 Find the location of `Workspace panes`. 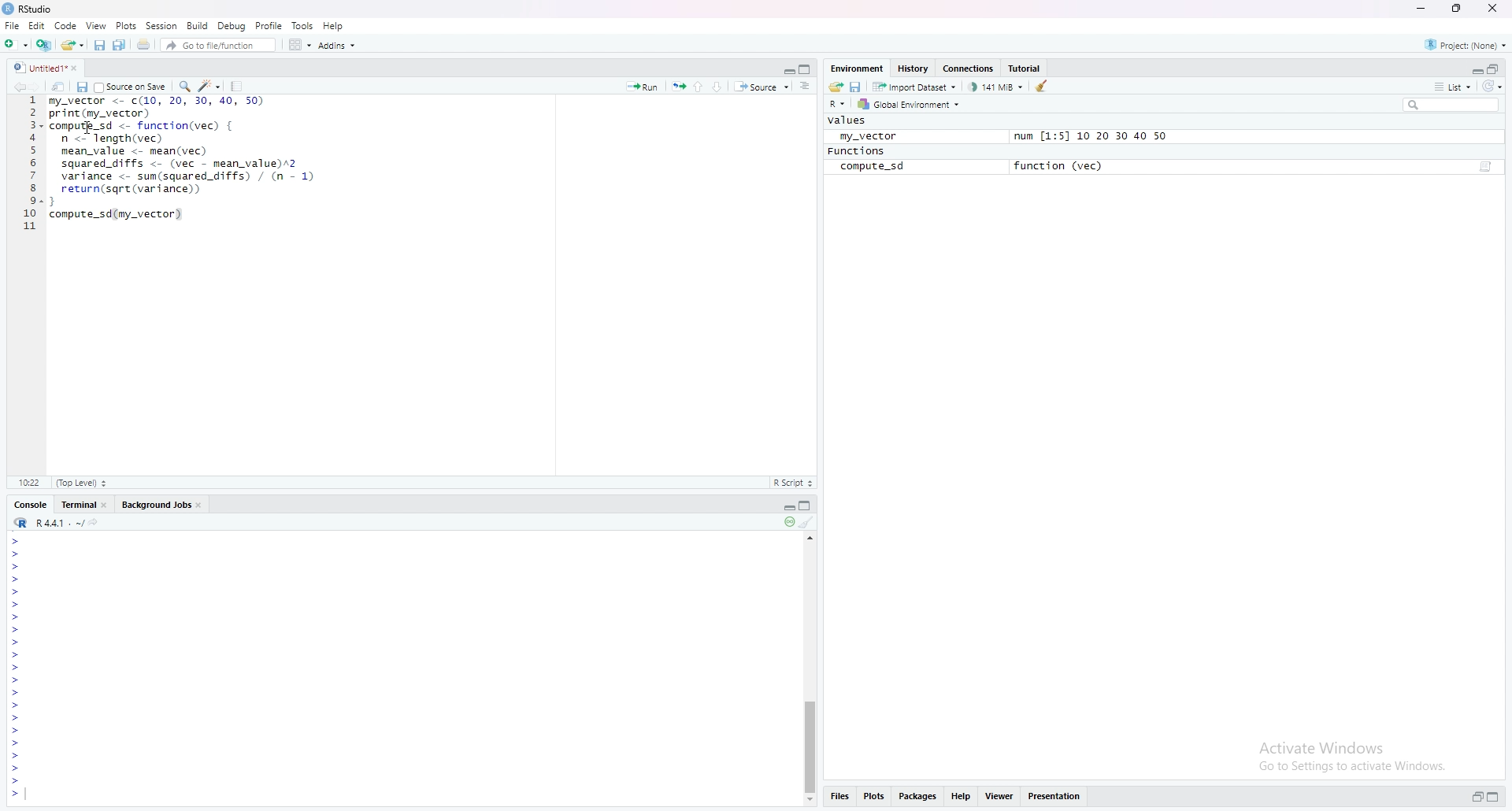

Workspace panes is located at coordinates (298, 44).